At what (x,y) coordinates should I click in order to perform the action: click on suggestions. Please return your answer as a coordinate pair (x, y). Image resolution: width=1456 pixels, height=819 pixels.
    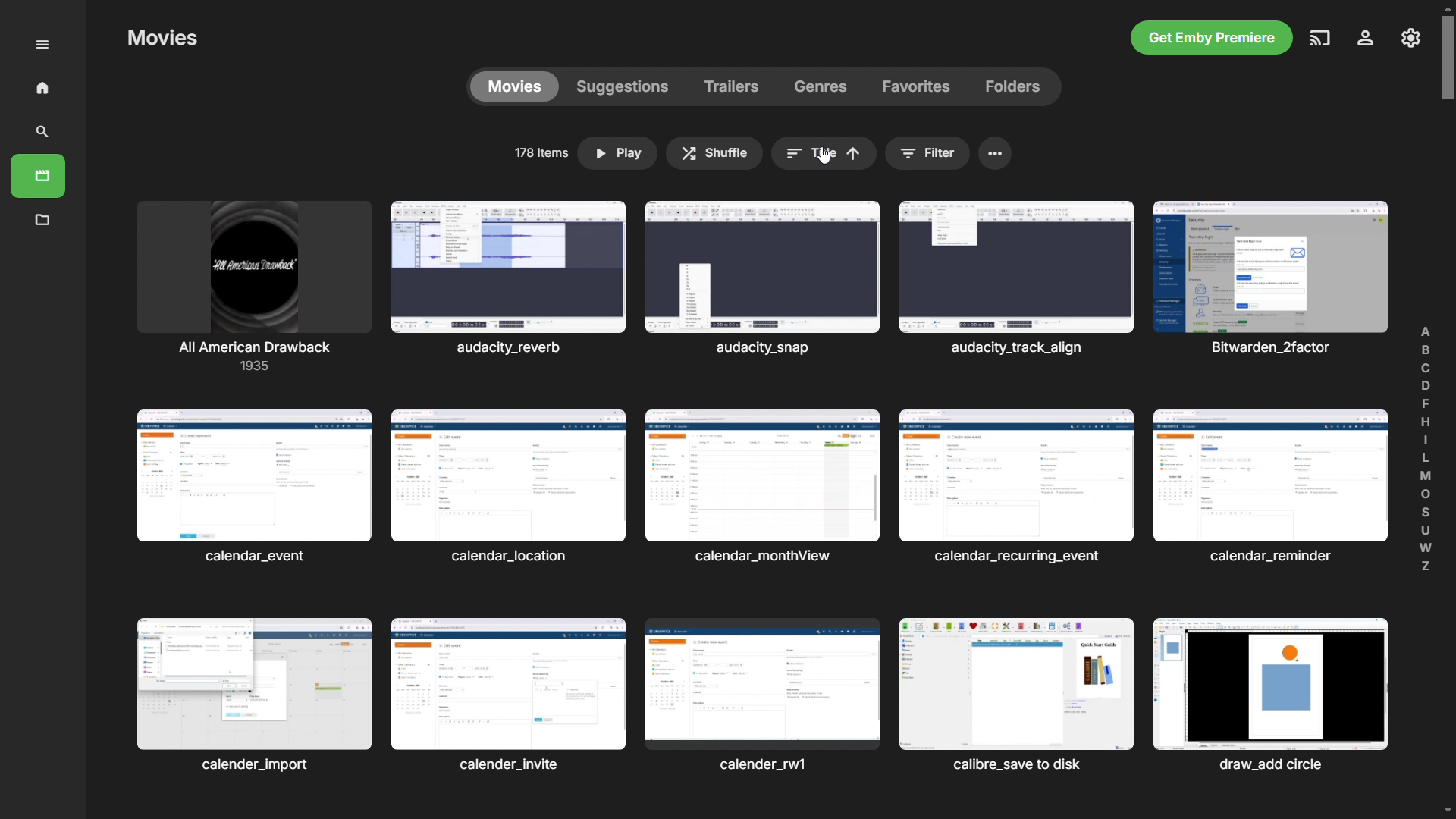
    Looking at the image, I should click on (628, 87).